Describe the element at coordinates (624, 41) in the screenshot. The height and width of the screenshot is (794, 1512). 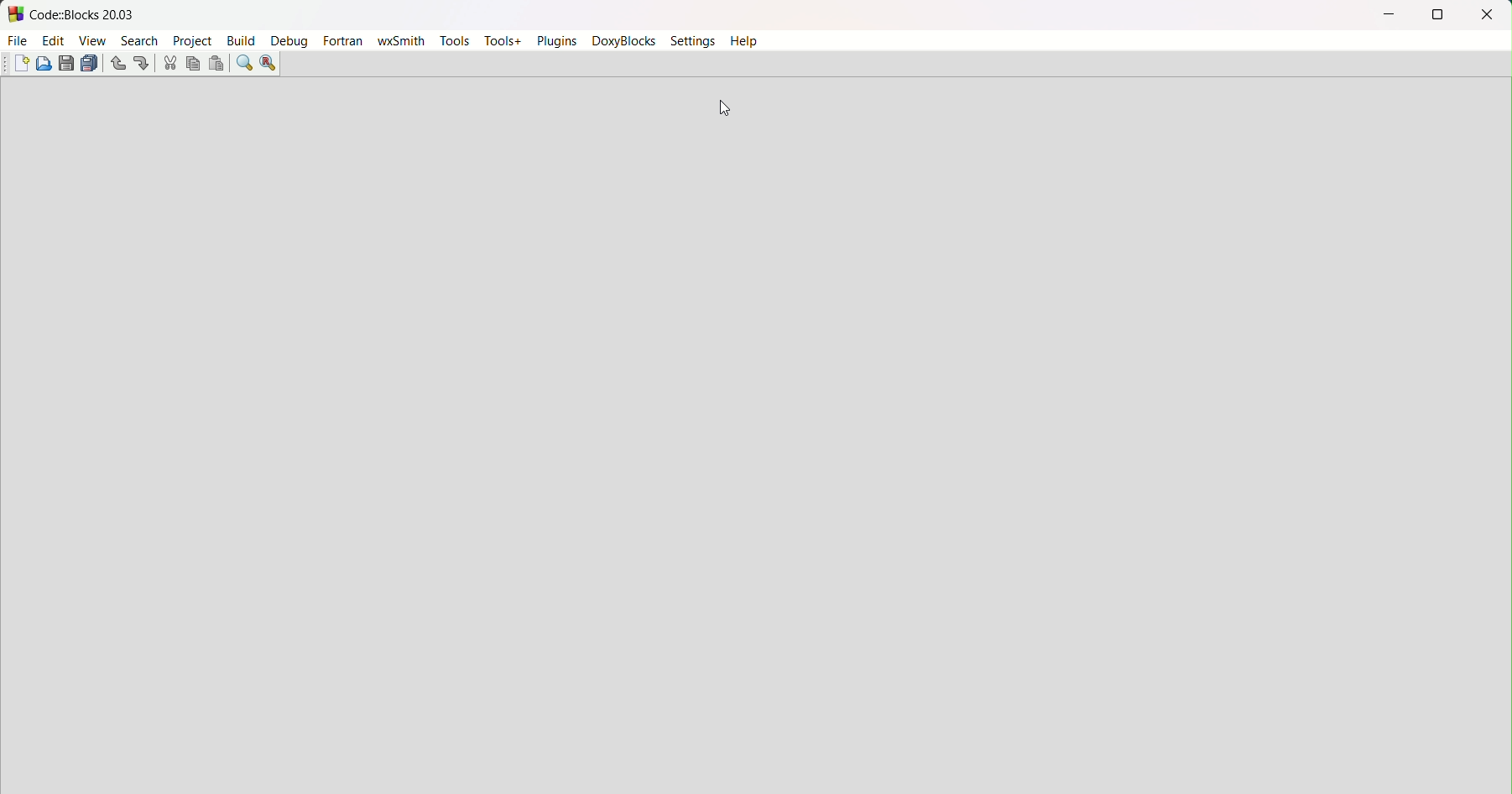
I see `doxyblocks` at that location.